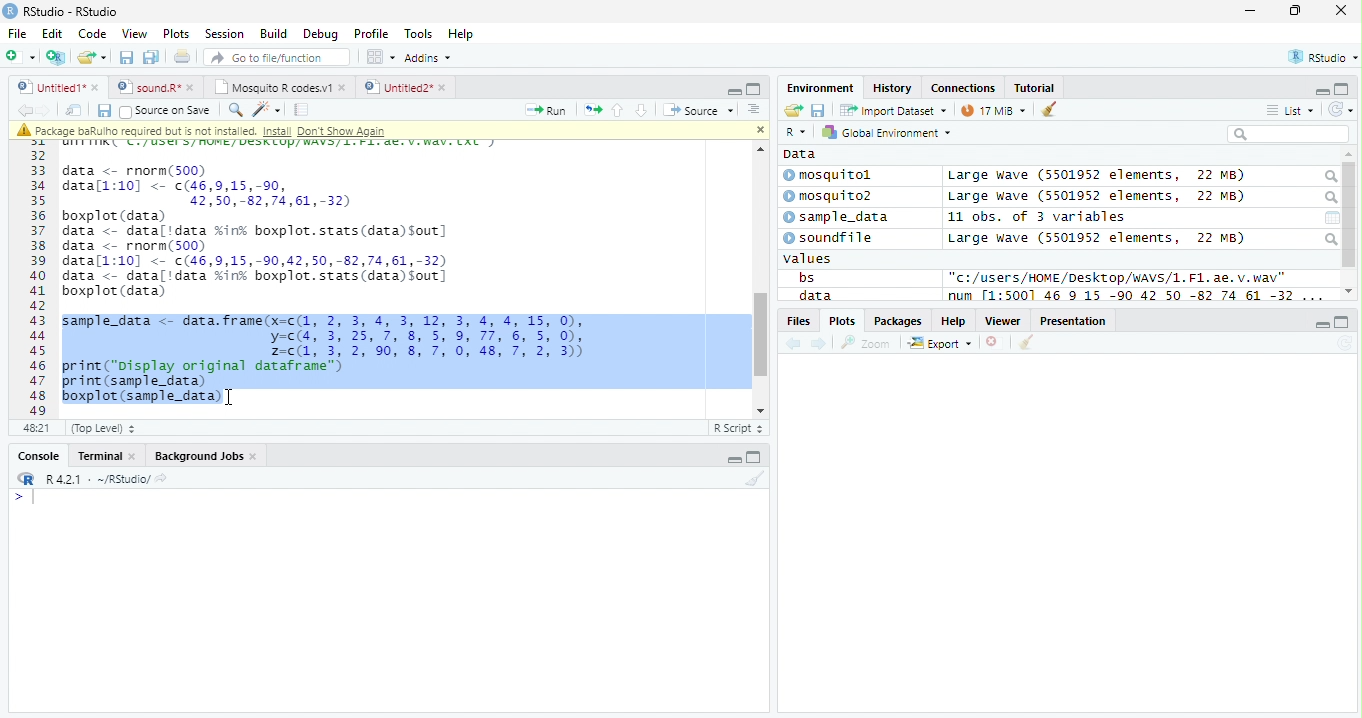  I want to click on full screen, so click(1343, 322).